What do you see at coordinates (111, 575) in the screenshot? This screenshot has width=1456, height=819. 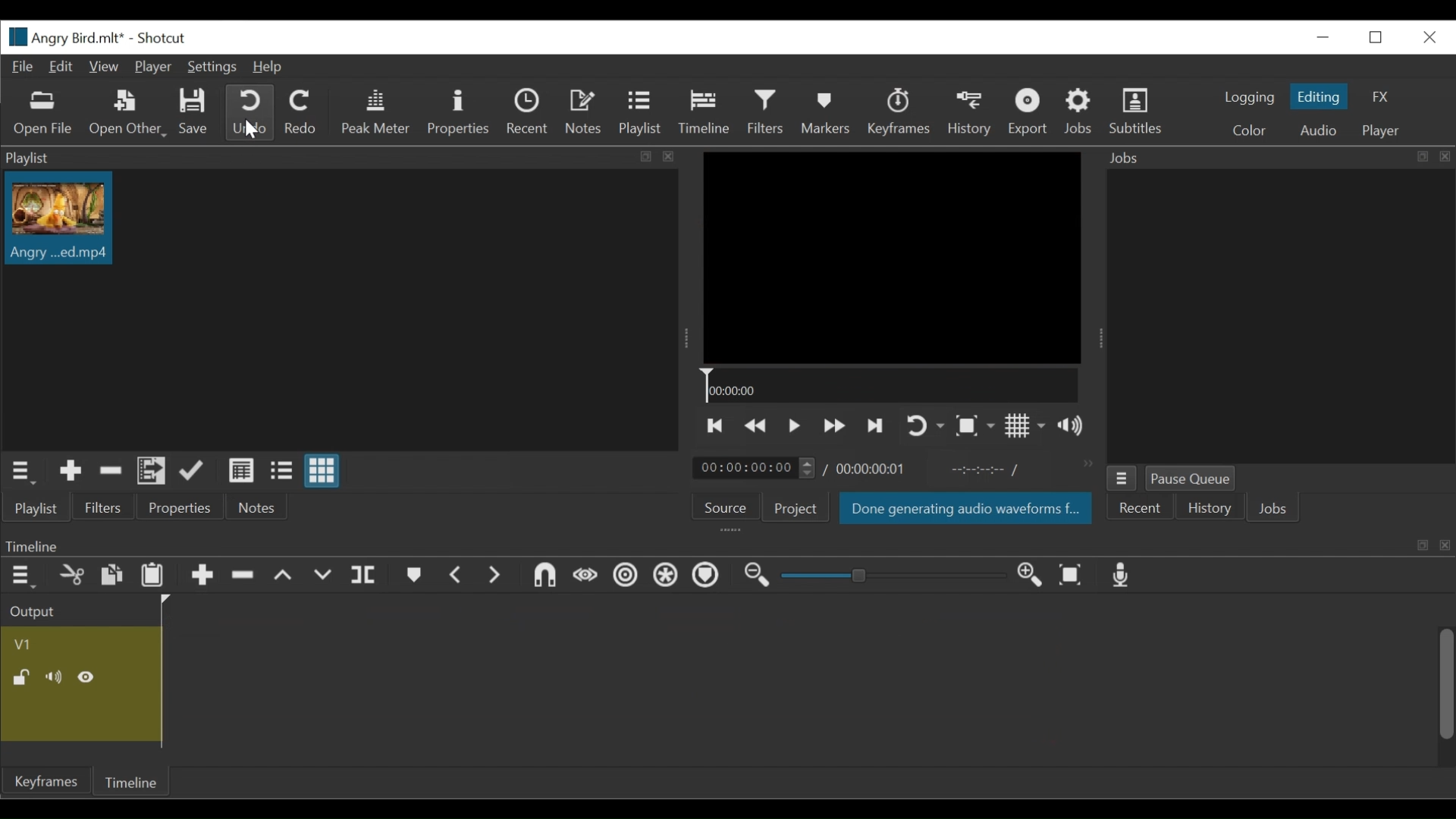 I see `Paste` at bounding box center [111, 575].